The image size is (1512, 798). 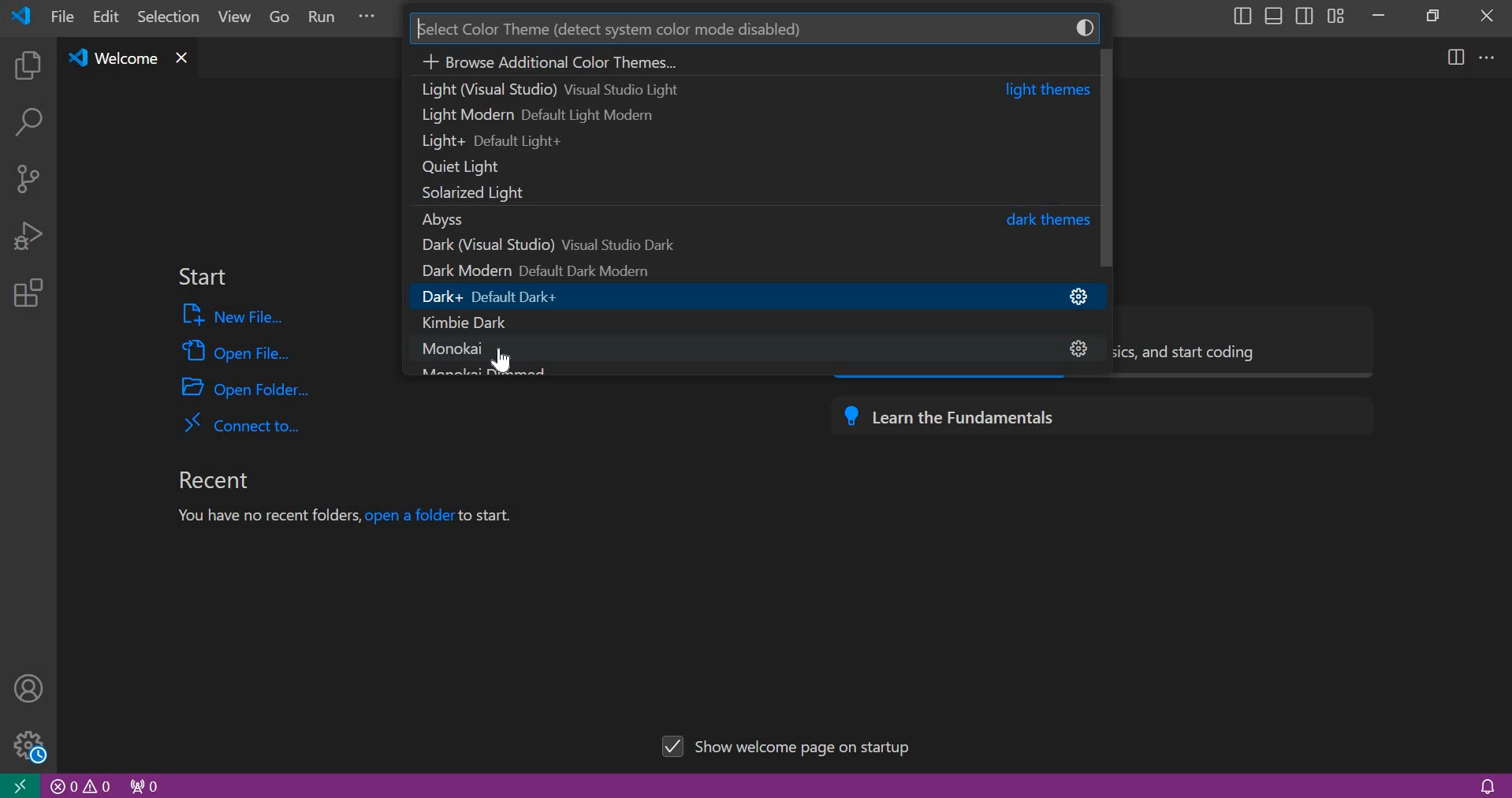 I want to click on browse additional color themes, so click(x=754, y=60).